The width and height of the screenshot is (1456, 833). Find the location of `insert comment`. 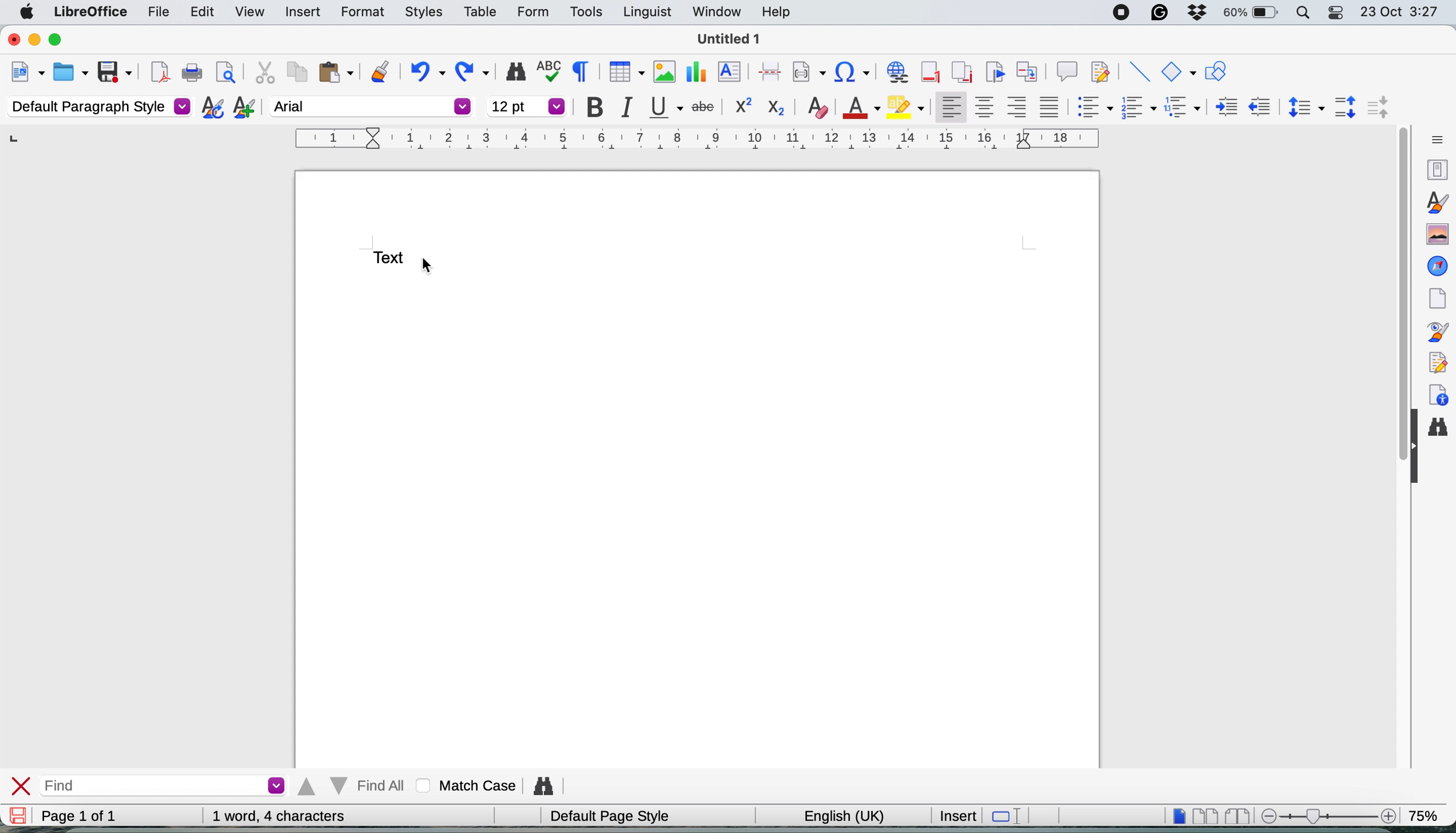

insert comment is located at coordinates (1066, 72).